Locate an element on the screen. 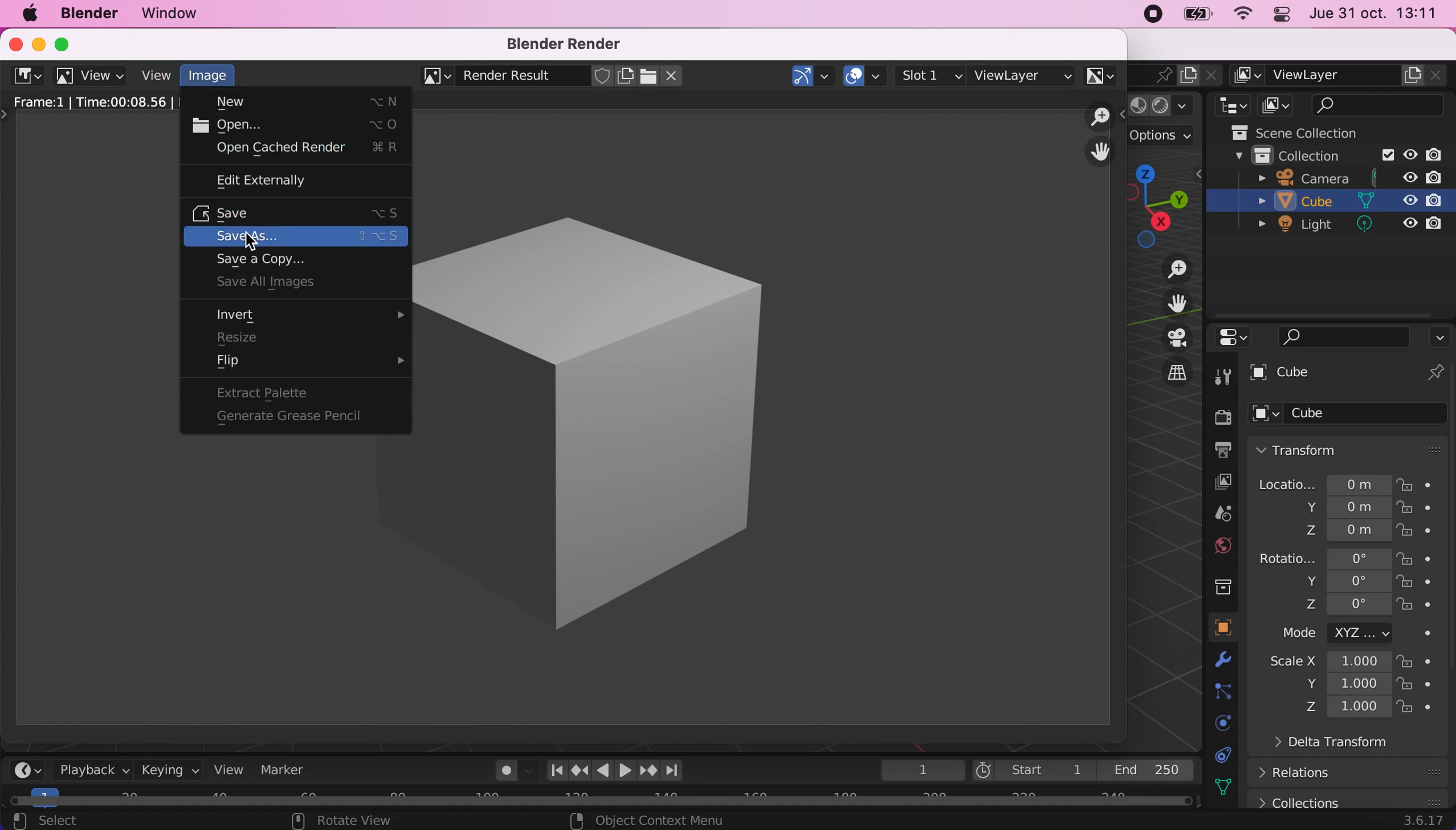  slot 1 is located at coordinates (932, 75).